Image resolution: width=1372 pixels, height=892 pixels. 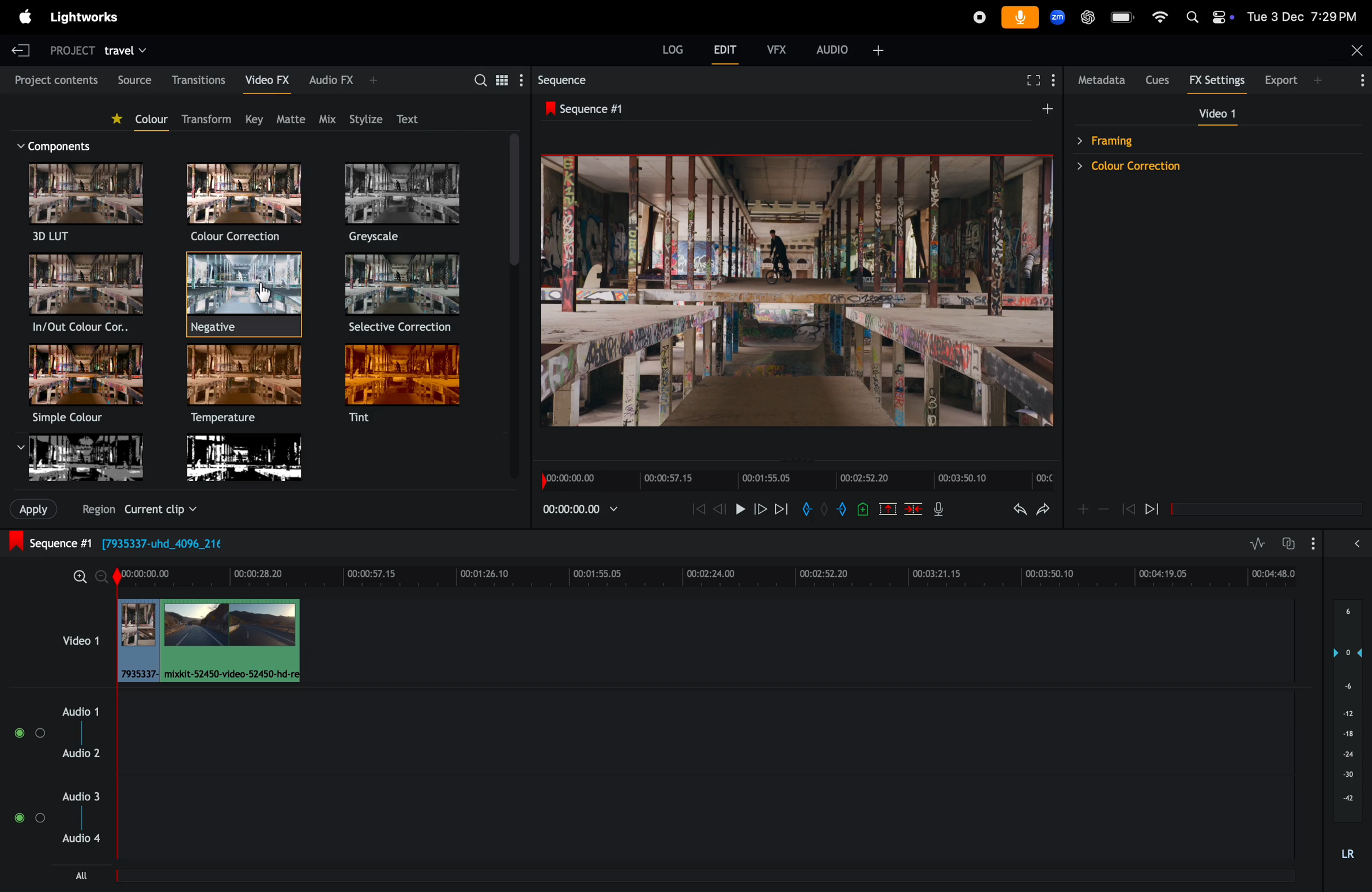 I want to click on simple color, so click(x=86, y=384).